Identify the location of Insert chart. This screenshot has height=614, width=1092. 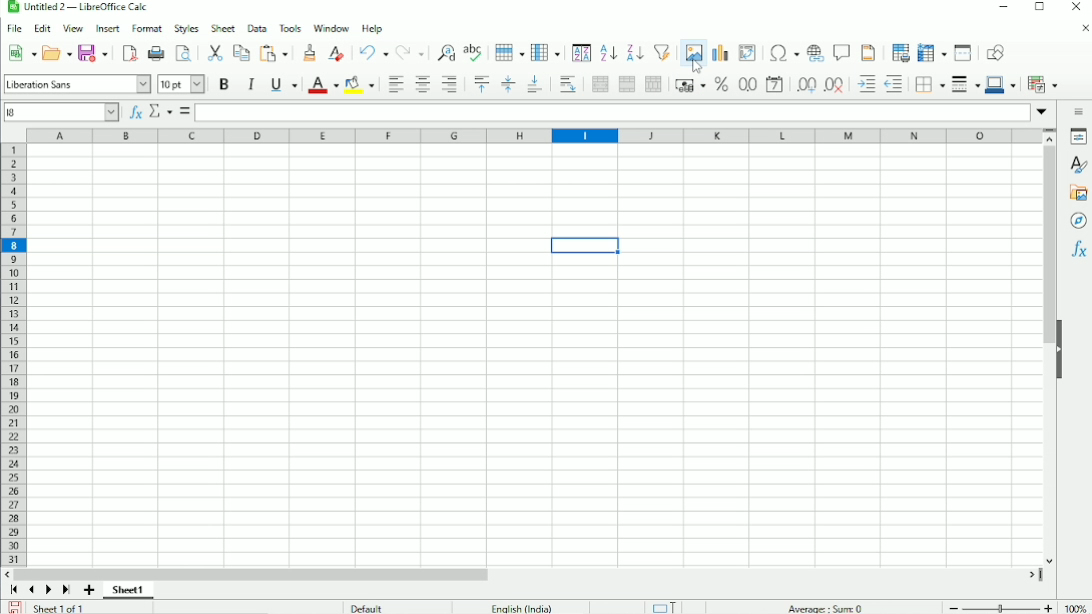
(719, 49).